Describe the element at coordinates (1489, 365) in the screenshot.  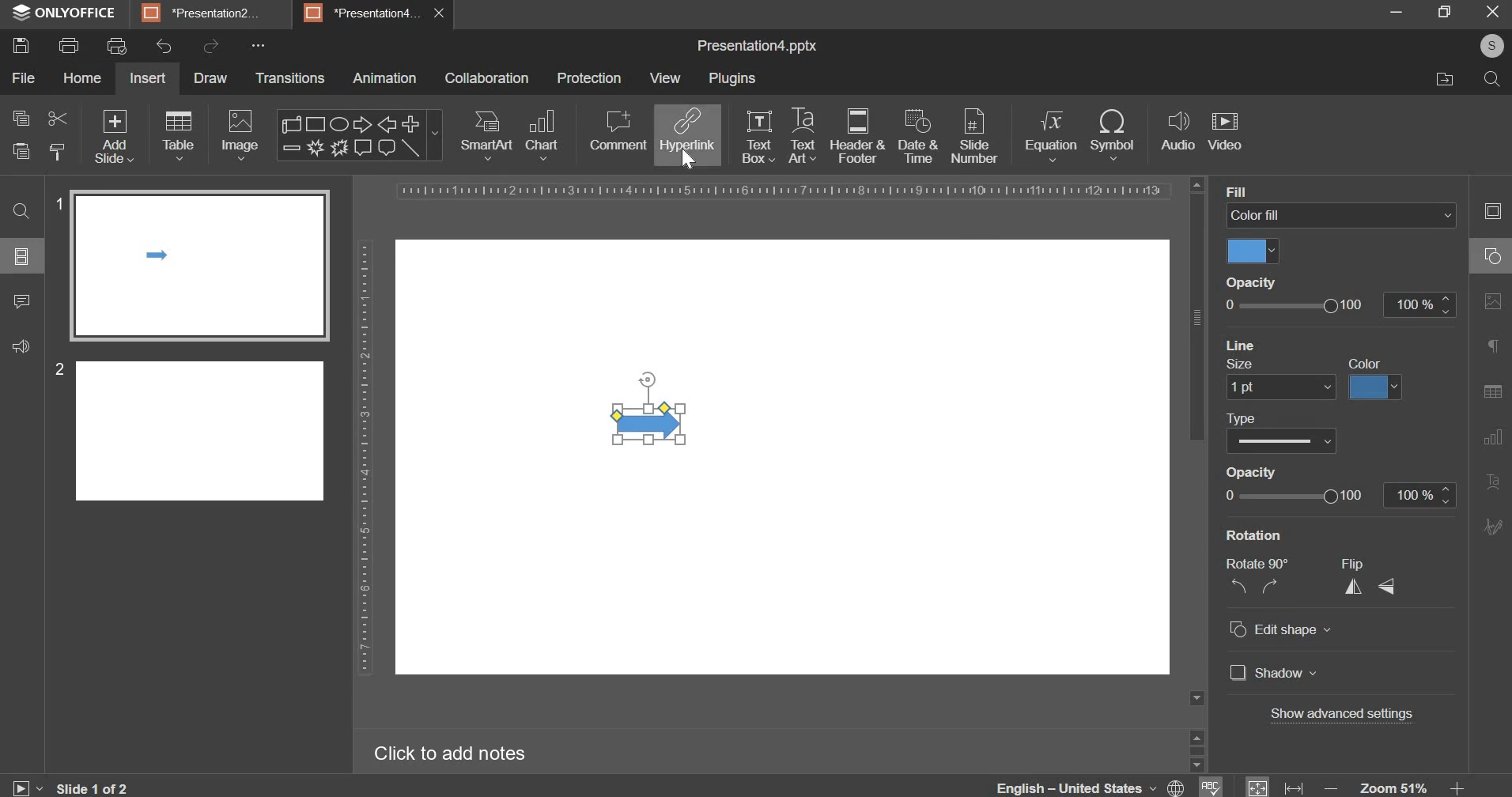
I see `right side bar` at that location.